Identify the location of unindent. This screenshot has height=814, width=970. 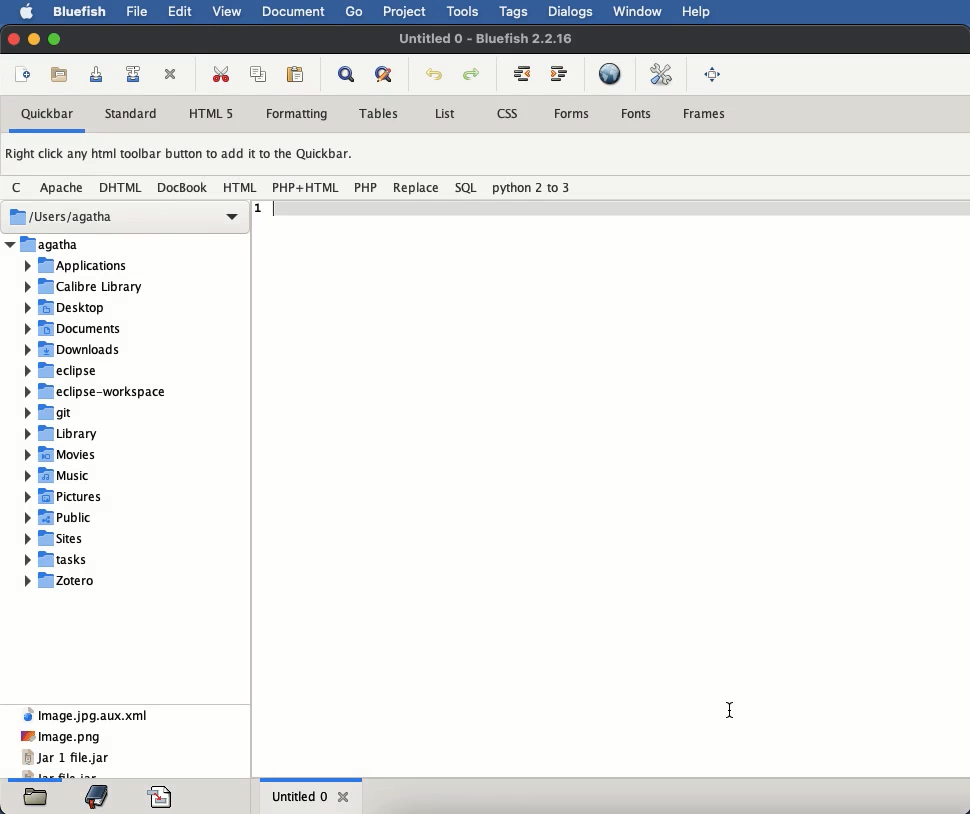
(521, 72).